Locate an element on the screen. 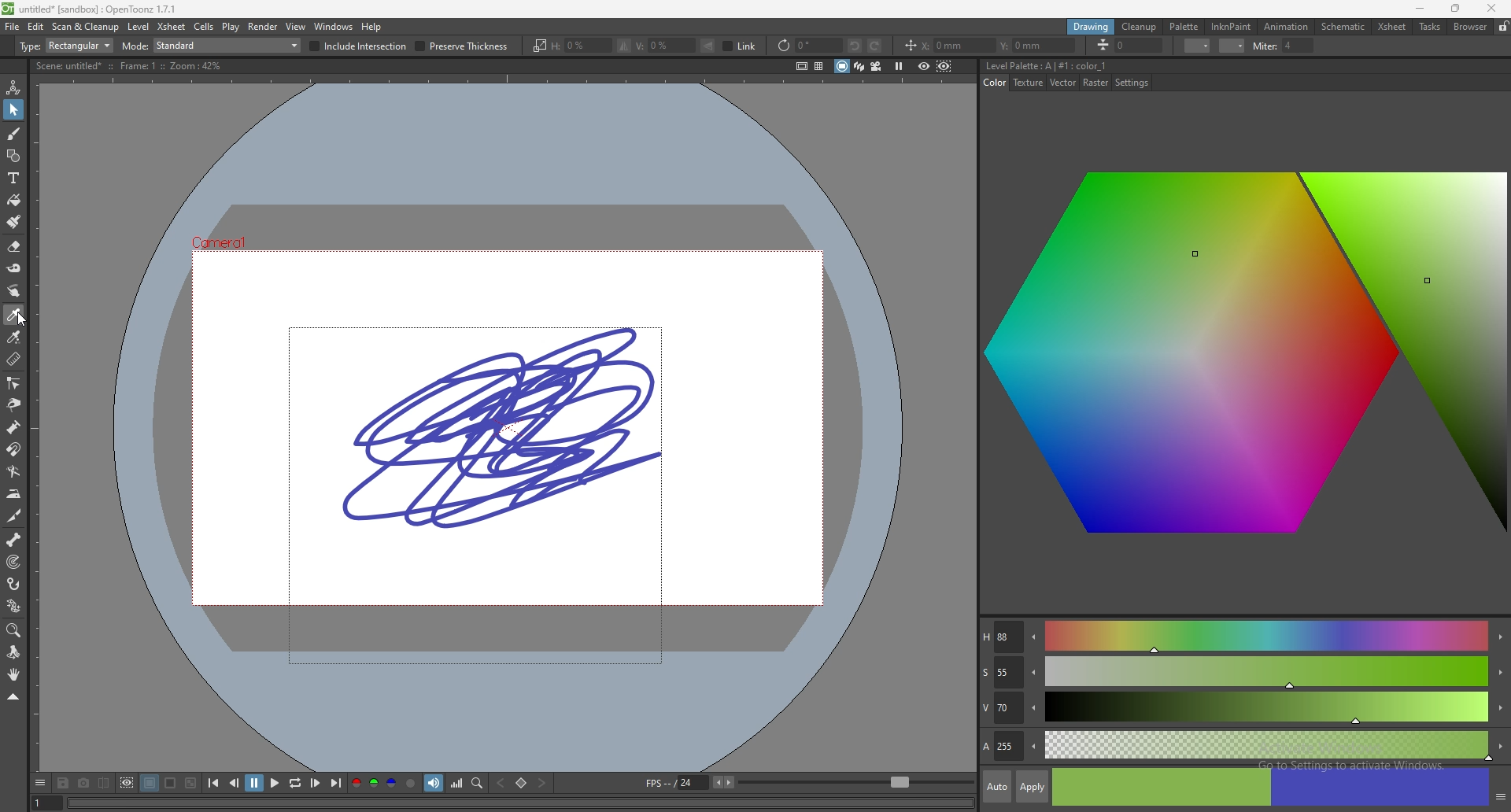 This screenshot has height=812, width=1511. texture is located at coordinates (1029, 83).